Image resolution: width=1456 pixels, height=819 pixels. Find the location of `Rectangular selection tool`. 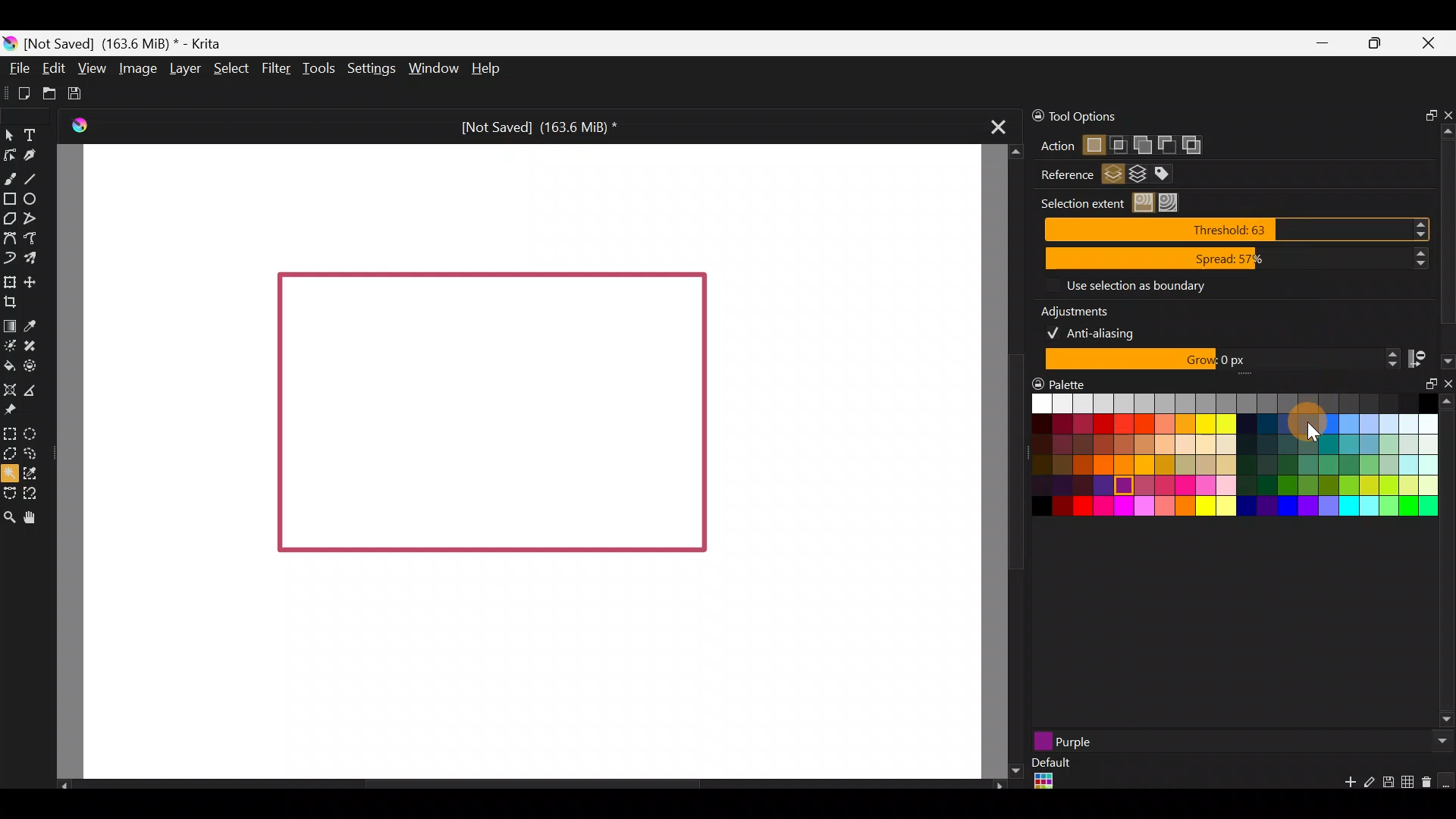

Rectangular selection tool is located at coordinates (13, 434).